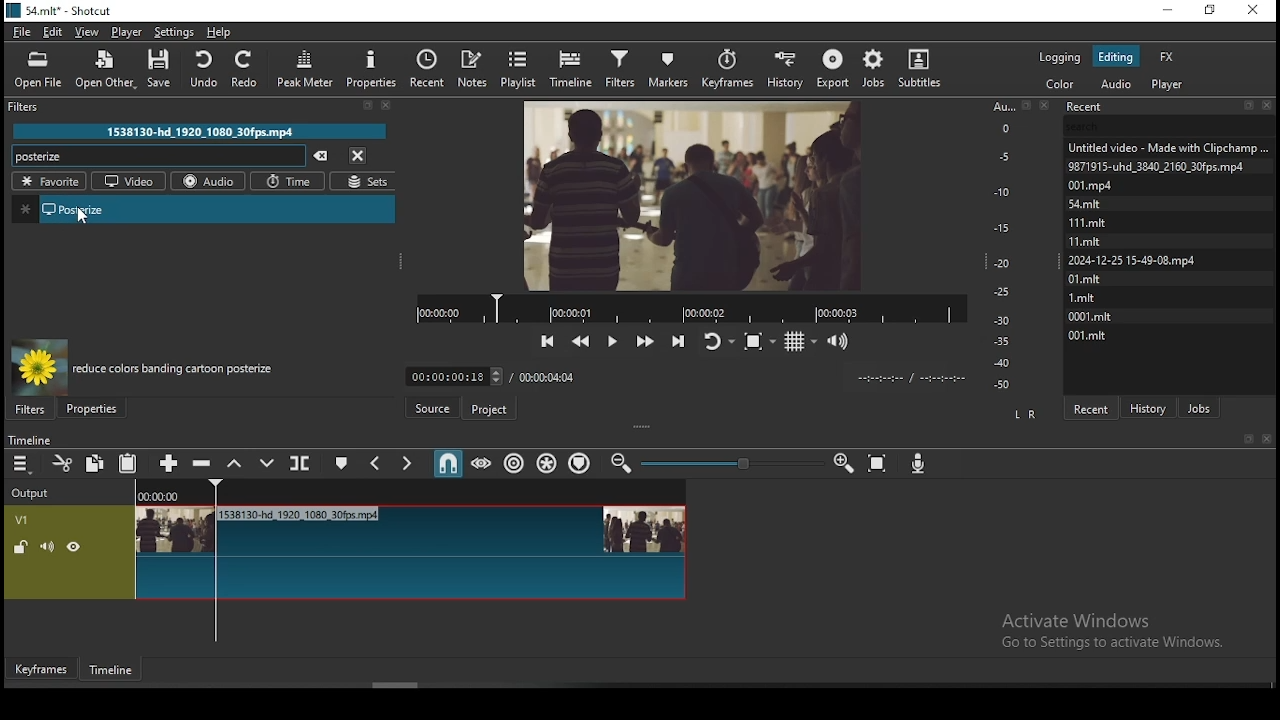 This screenshot has height=720, width=1280. What do you see at coordinates (223, 32) in the screenshot?
I see `help` at bounding box center [223, 32].